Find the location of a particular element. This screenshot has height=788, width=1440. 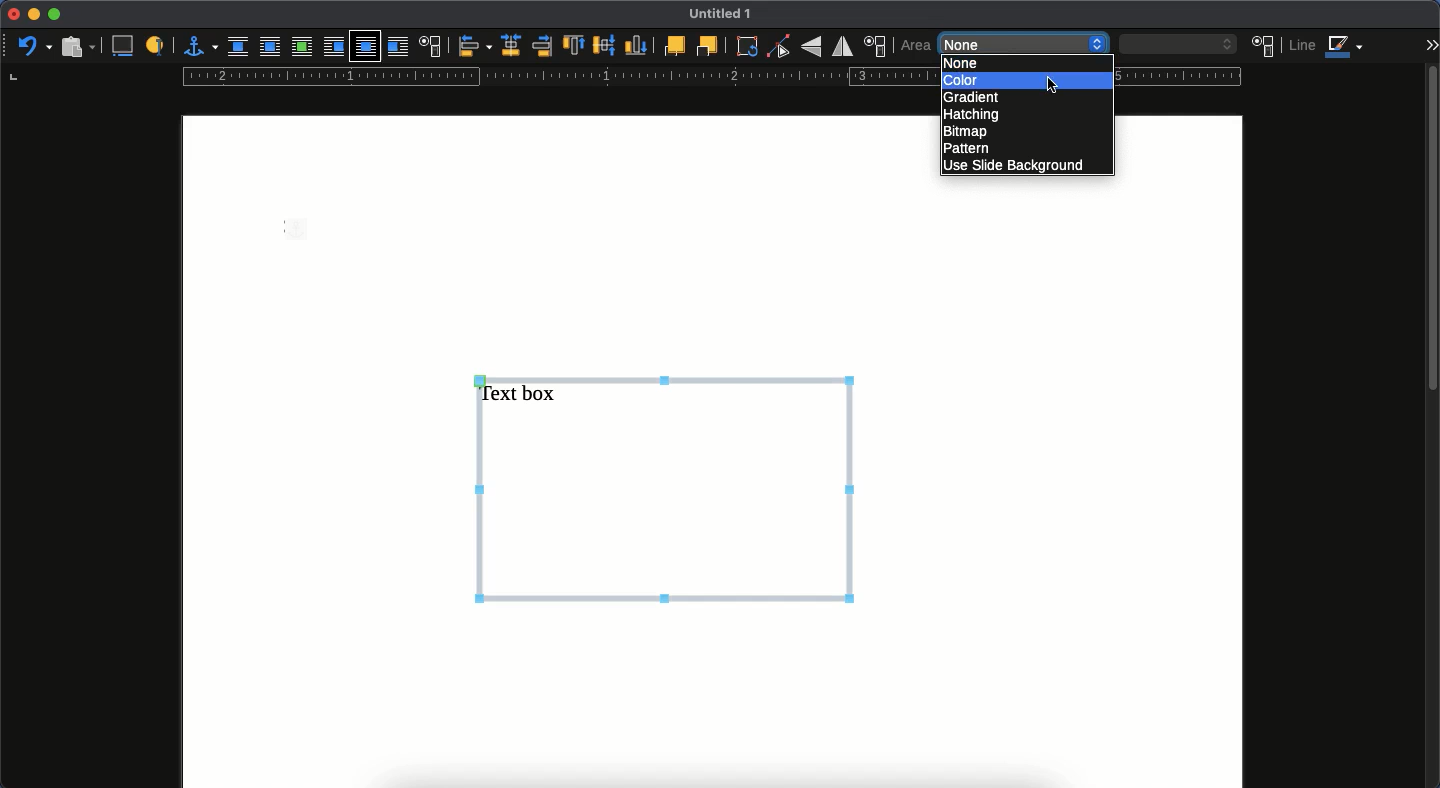

expand is located at coordinates (1431, 44).